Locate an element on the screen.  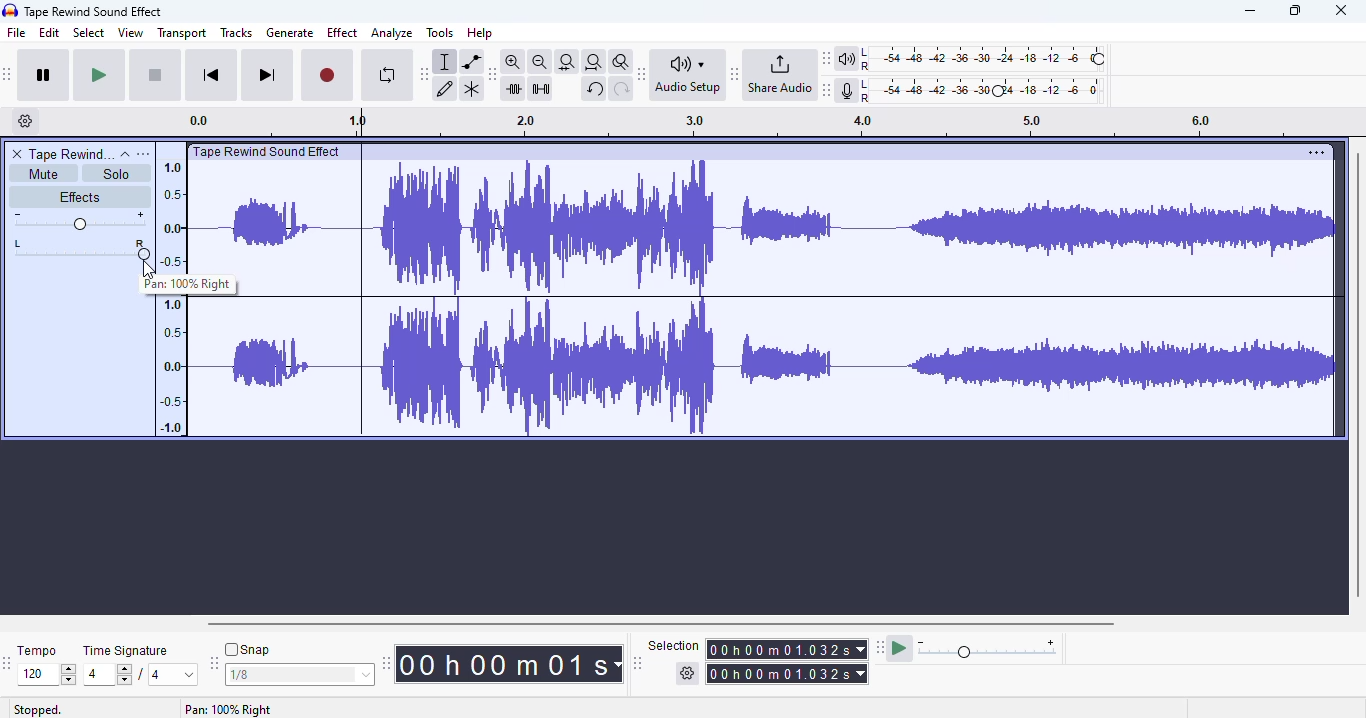
Track tile is located at coordinates (270, 151).